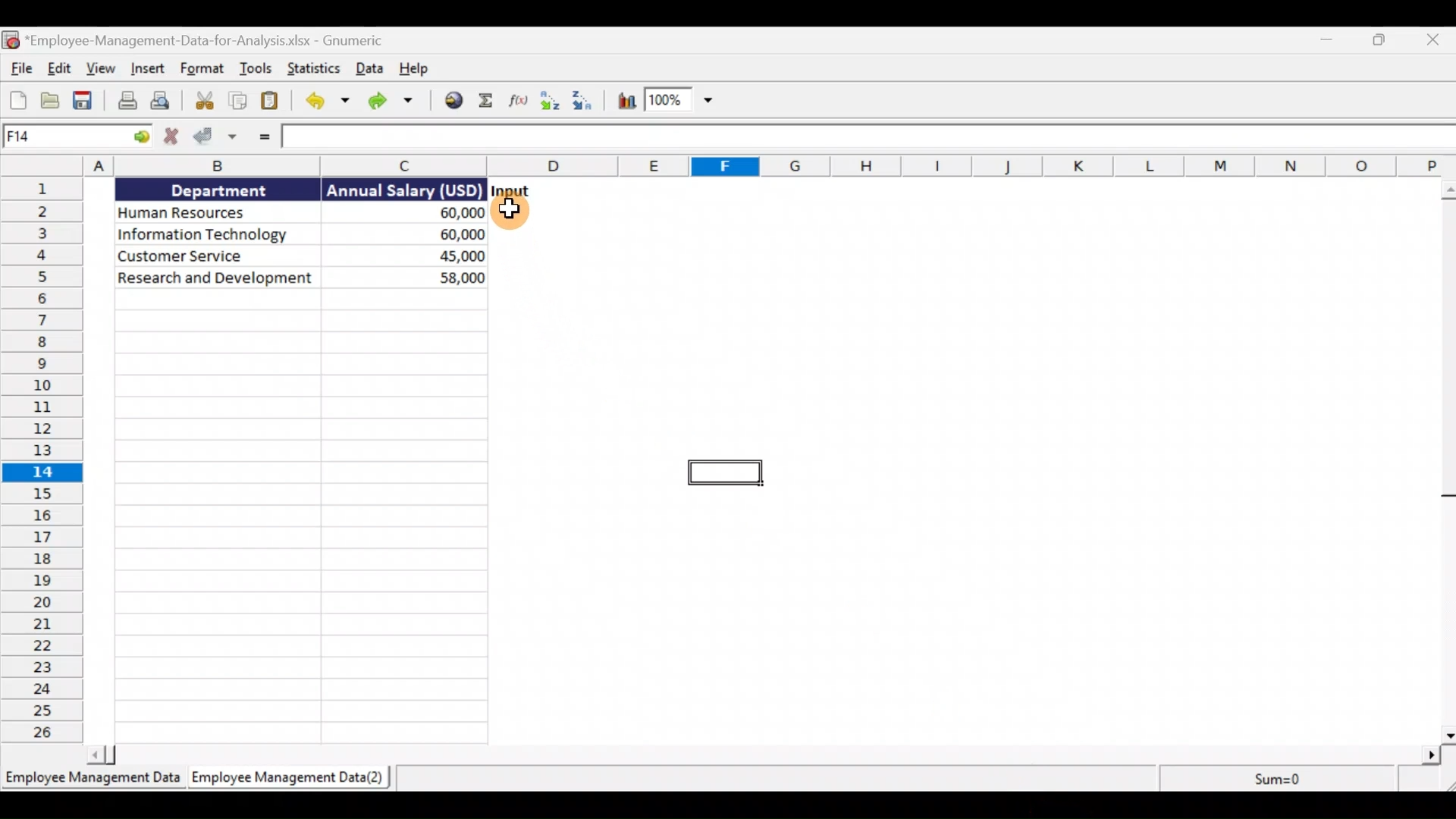 This screenshot has width=1456, height=819. Describe the element at coordinates (301, 515) in the screenshot. I see `cells` at that location.